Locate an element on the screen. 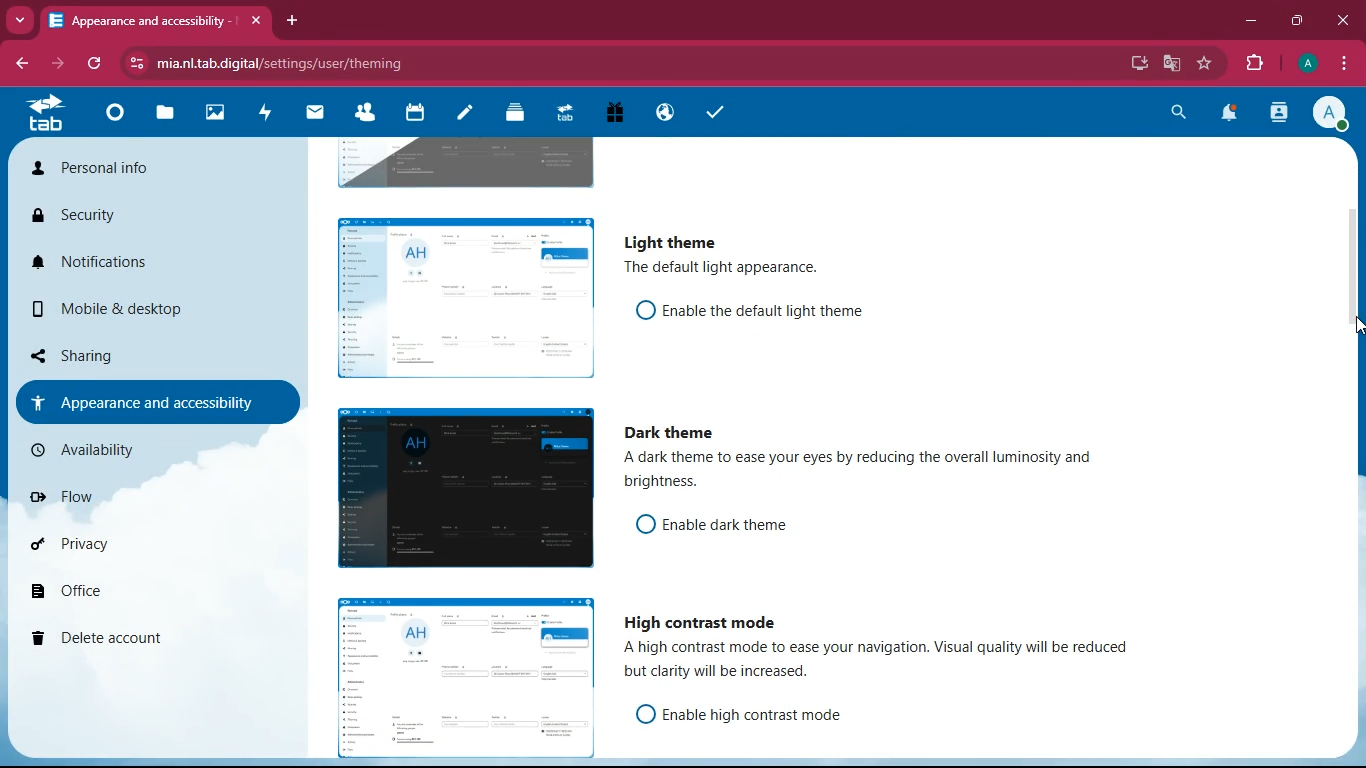 The image size is (1366, 768). mobile is located at coordinates (117, 309).